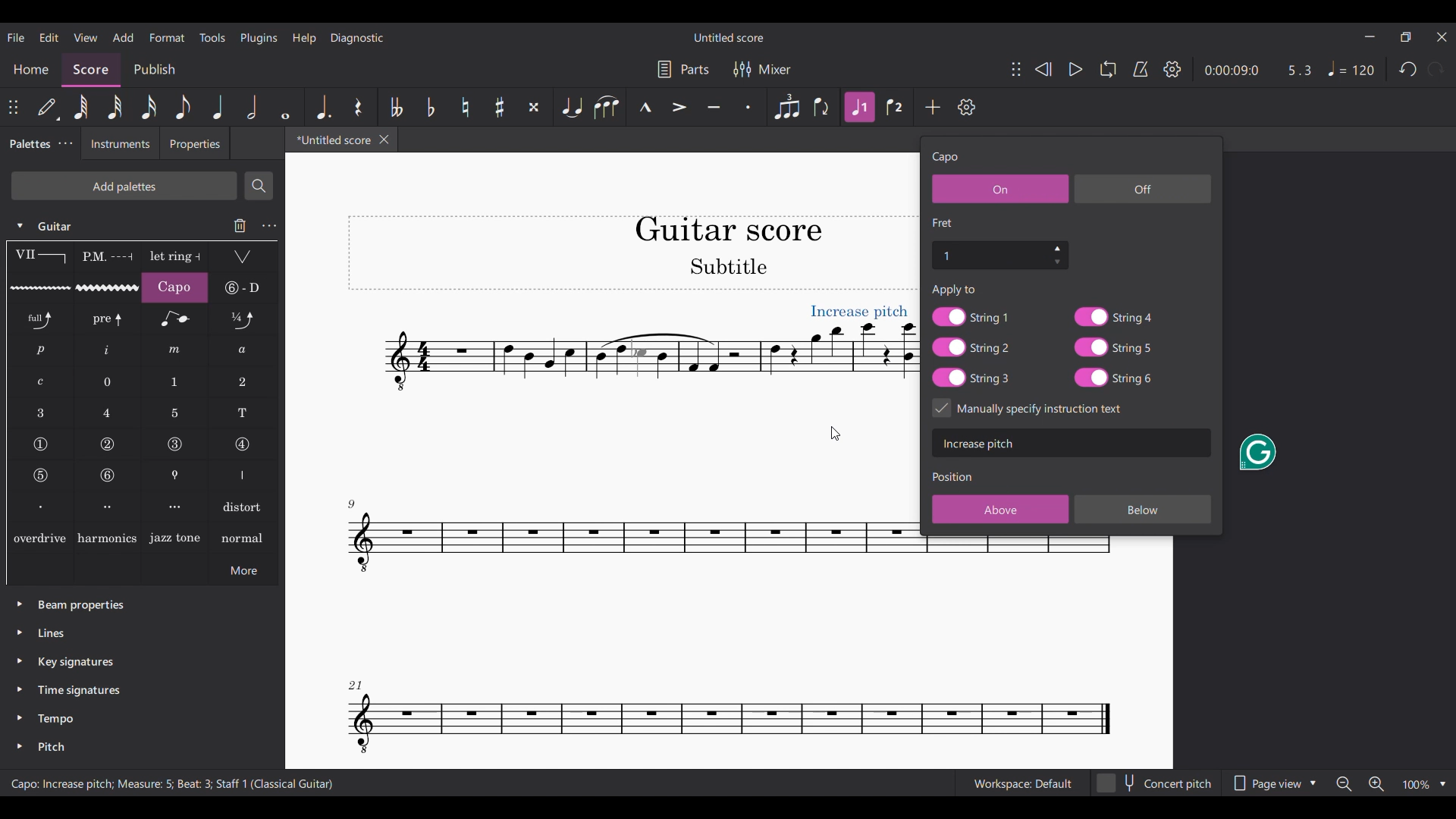  What do you see at coordinates (1156, 783) in the screenshot?
I see `Concert pitch toggle` at bounding box center [1156, 783].